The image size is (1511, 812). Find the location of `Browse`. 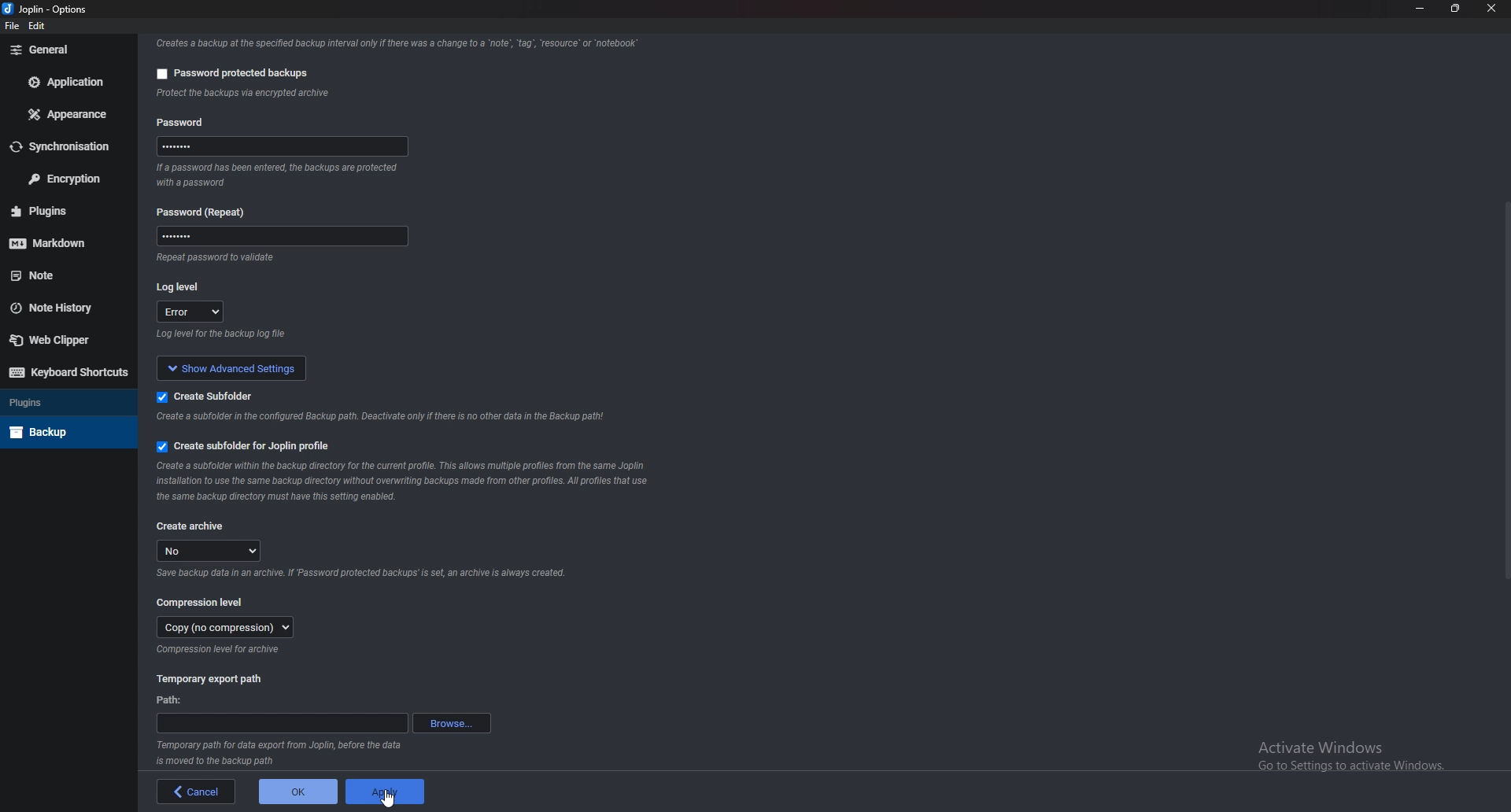

Browse is located at coordinates (451, 723).